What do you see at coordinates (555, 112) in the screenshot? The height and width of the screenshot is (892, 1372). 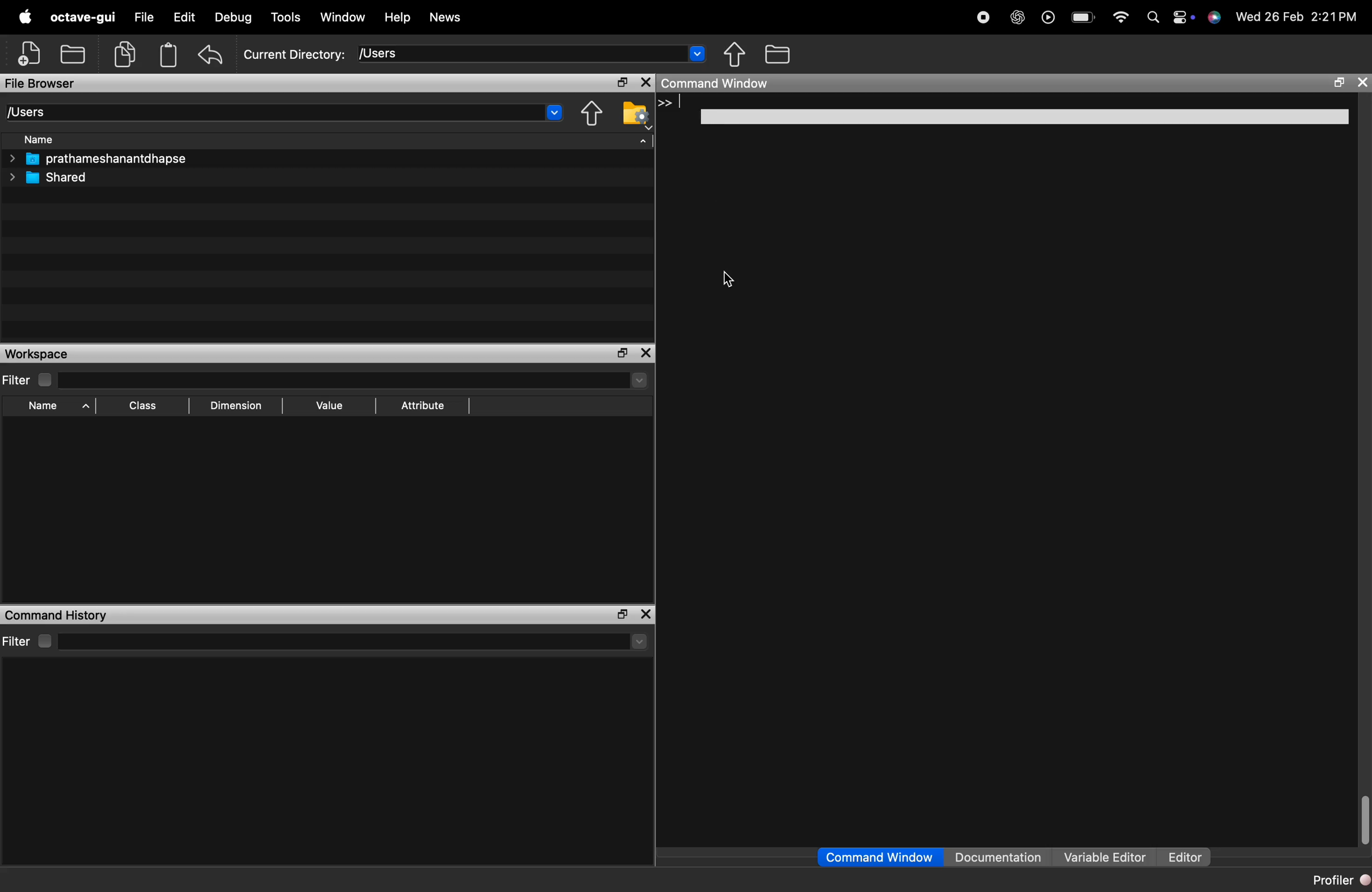 I see `dropdown` at bounding box center [555, 112].